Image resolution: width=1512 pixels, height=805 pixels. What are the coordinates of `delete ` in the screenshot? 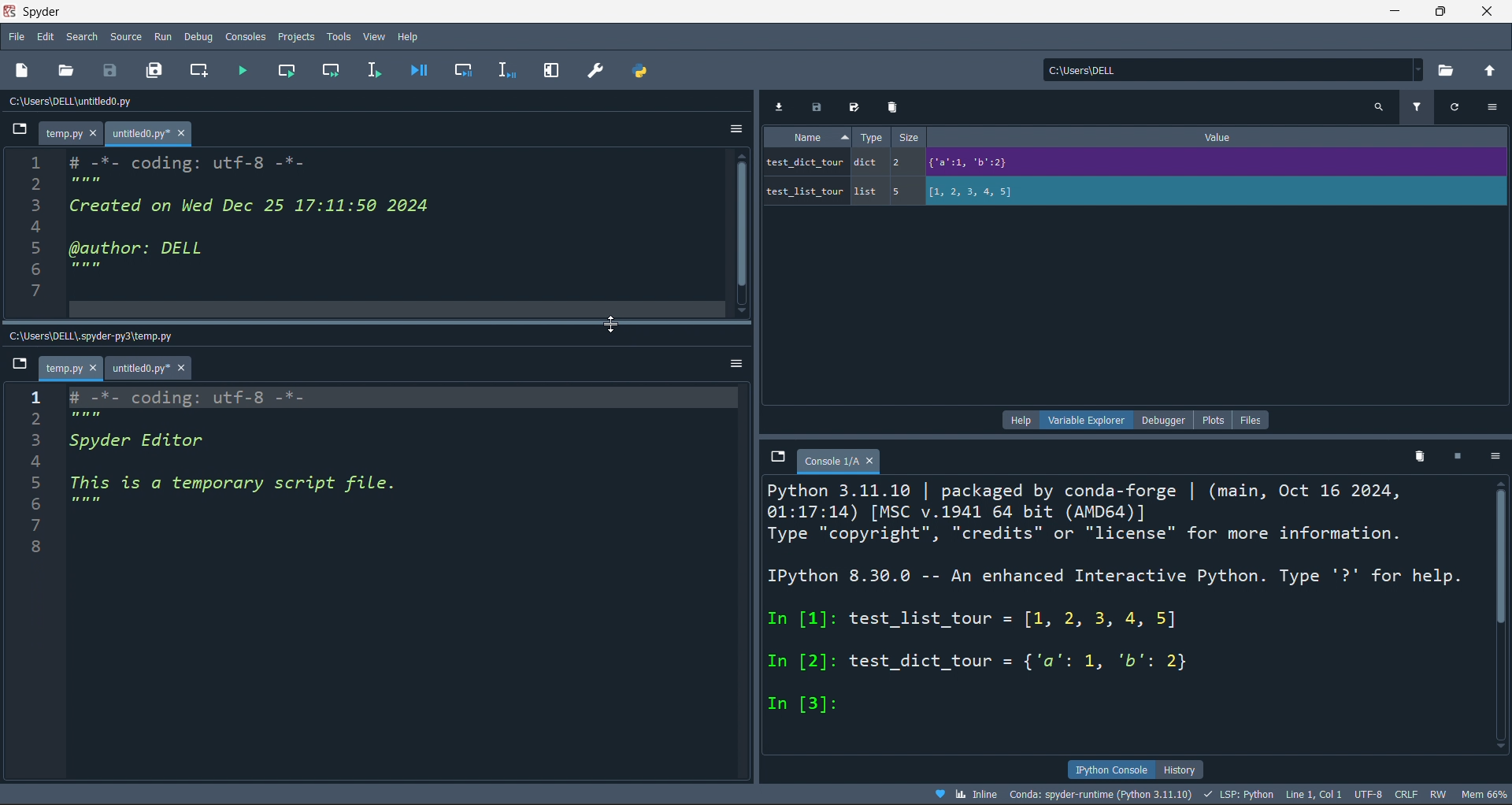 It's located at (891, 107).